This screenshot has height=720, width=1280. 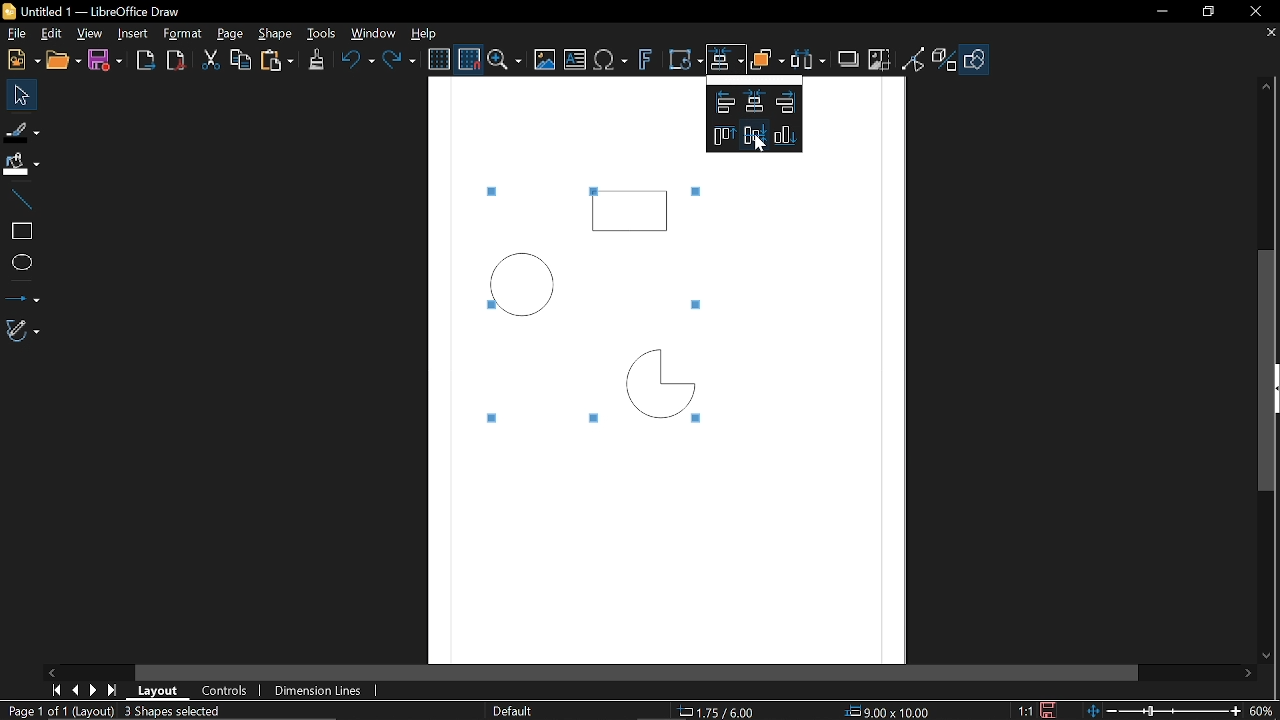 What do you see at coordinates (849, 59) in the screenshot?
I see `Shadow` at bounding box center [849, 59].